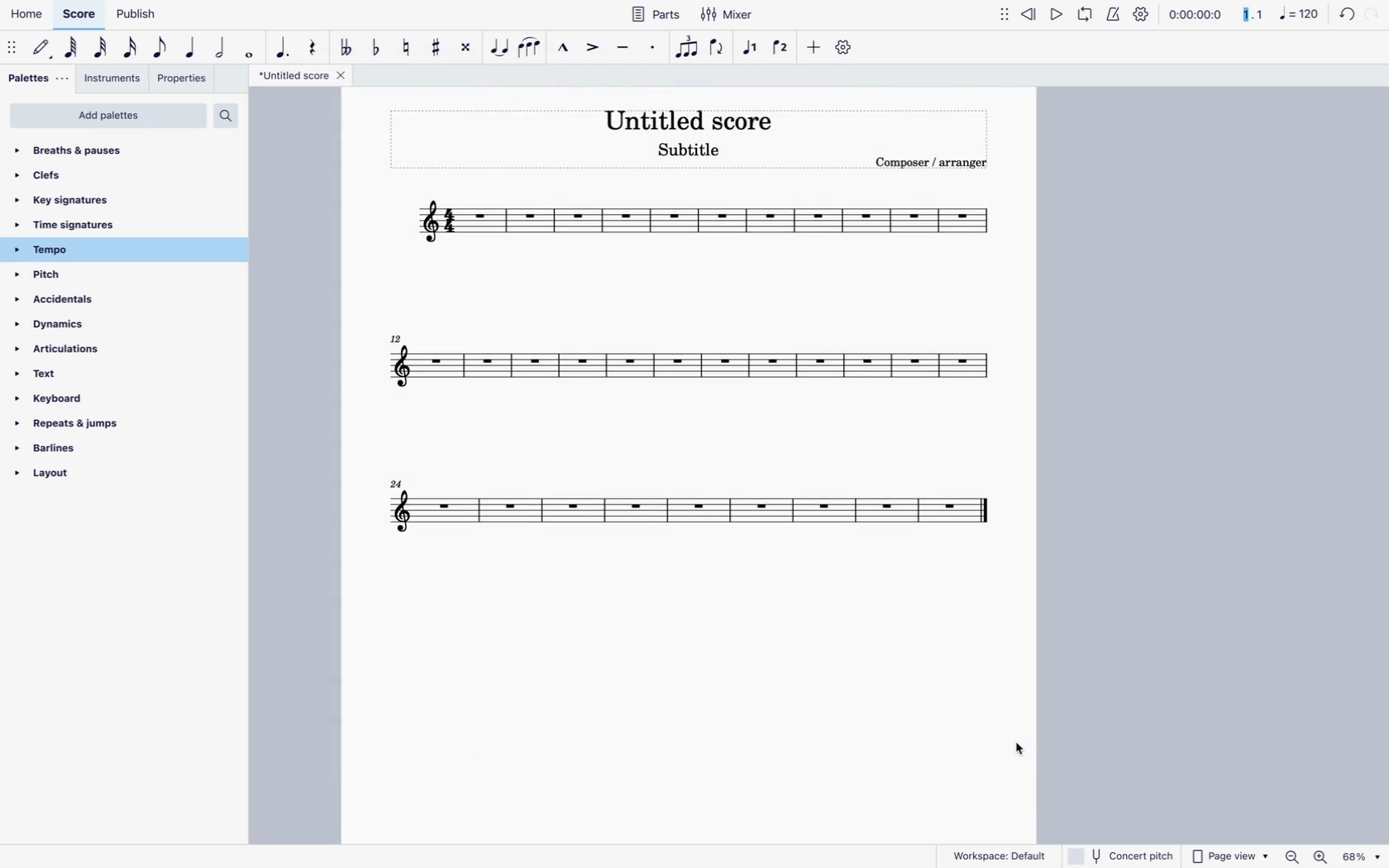 Image resolution: width=1389 pixels, height=868 pixels. I want to click on 16th note, so click(131, 48).